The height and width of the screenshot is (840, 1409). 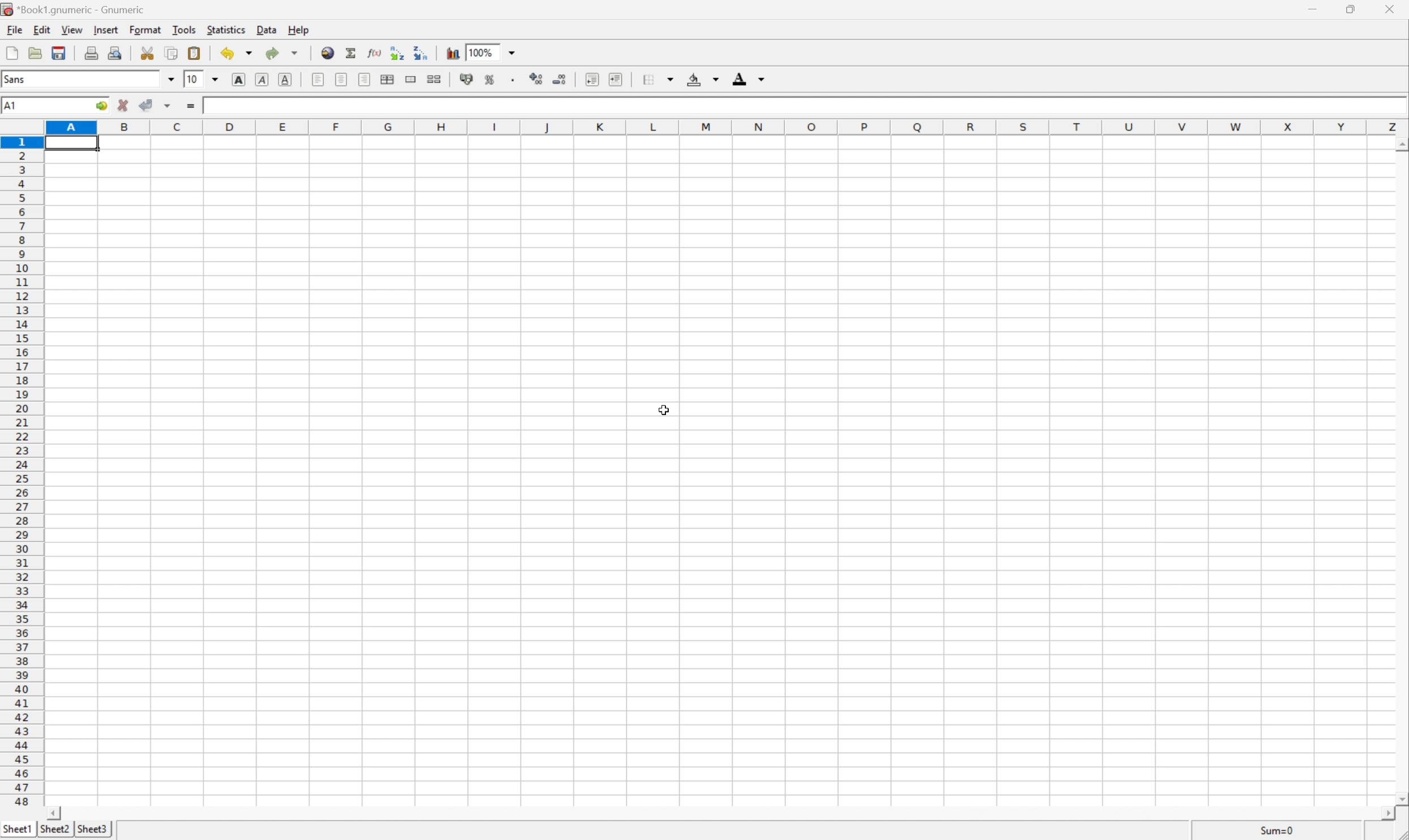 What do you see at coordinates (261, 79) in the screenshot?
I see `Italic` at bounding box center [261, 79].